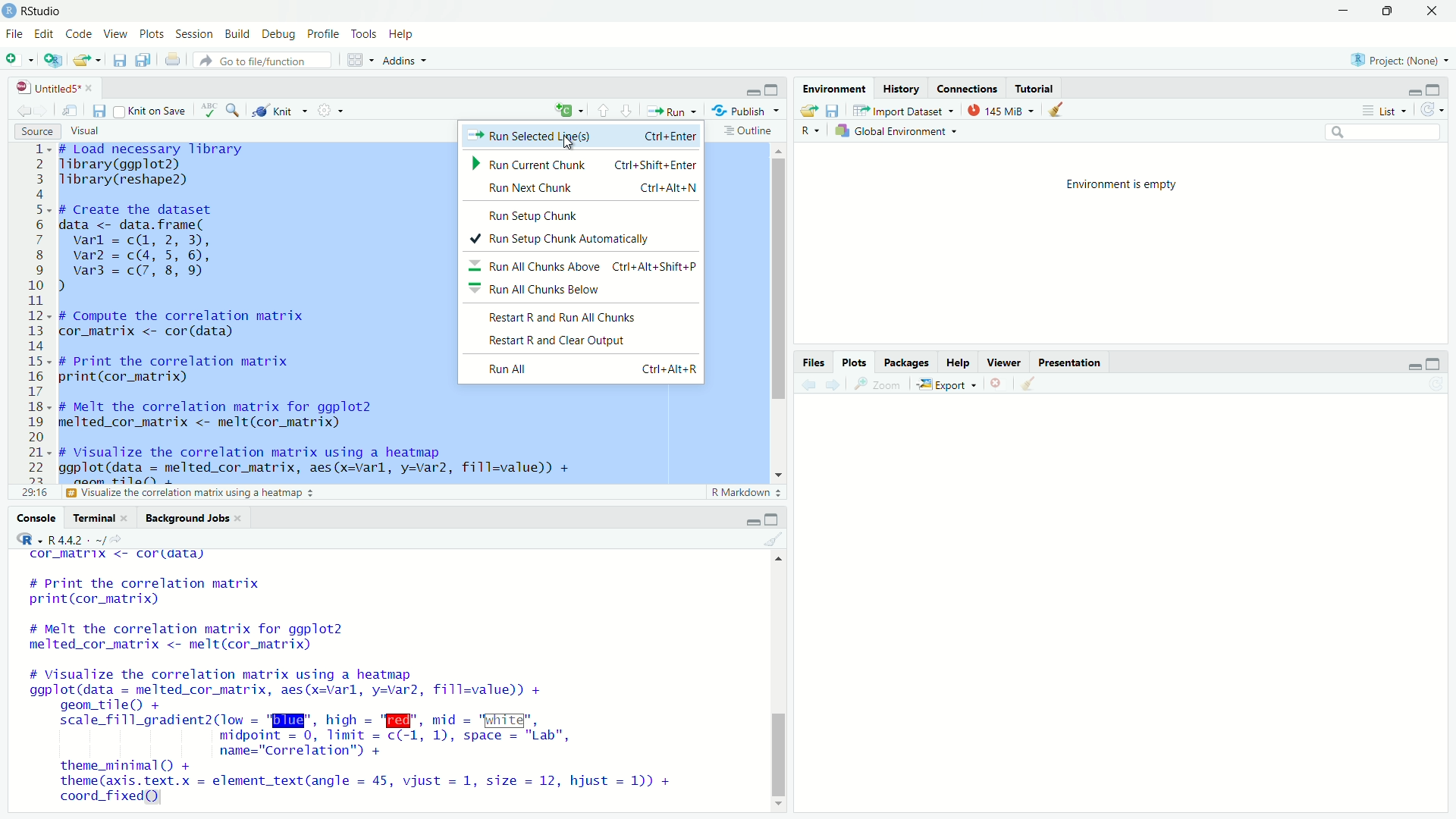 The height and width of the screenshot is (819, 1456). What do you see at coordinates (567, 143) in the screenshot?
I see `cursor` at bounding box center [567, 143].